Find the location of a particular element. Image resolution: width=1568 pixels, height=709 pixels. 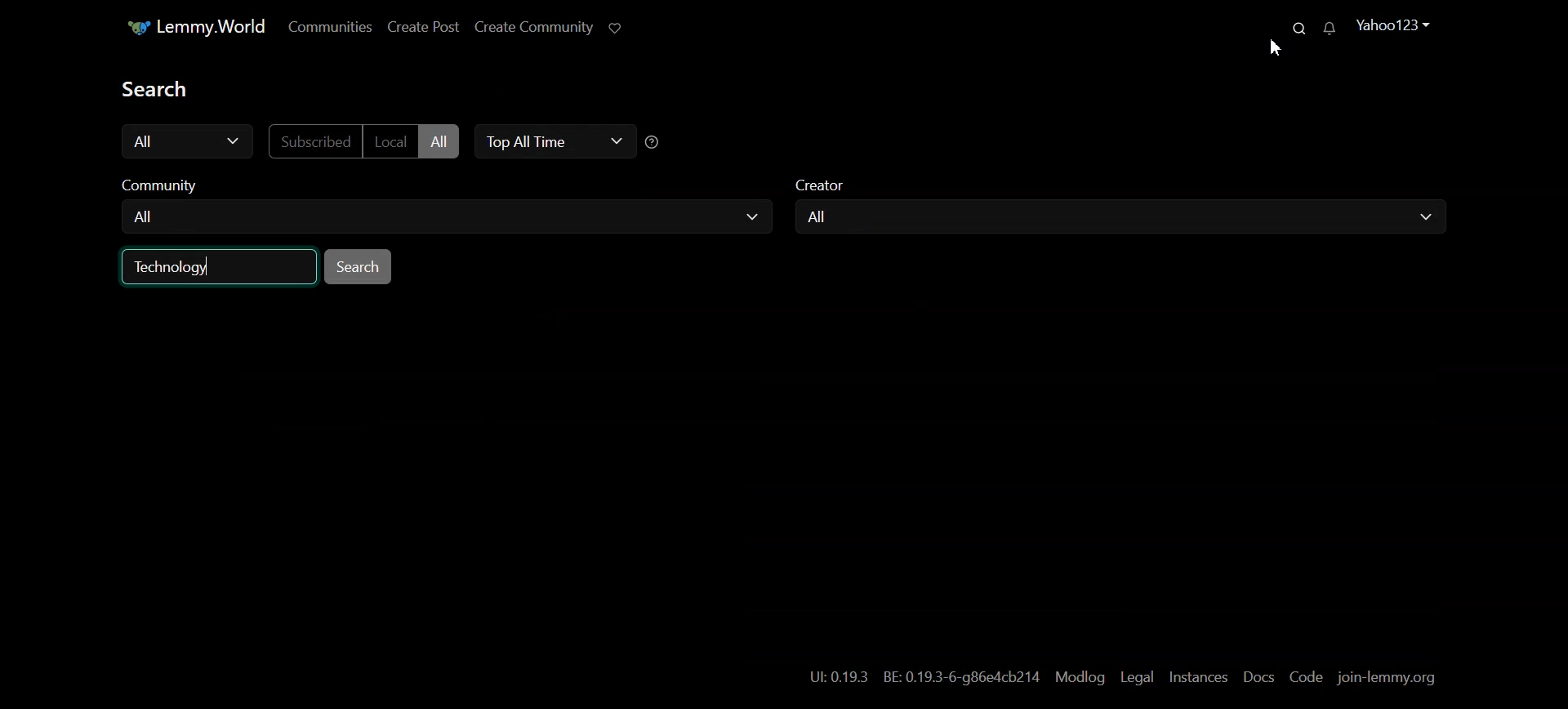

Search is located at coordinates (1295, 29).